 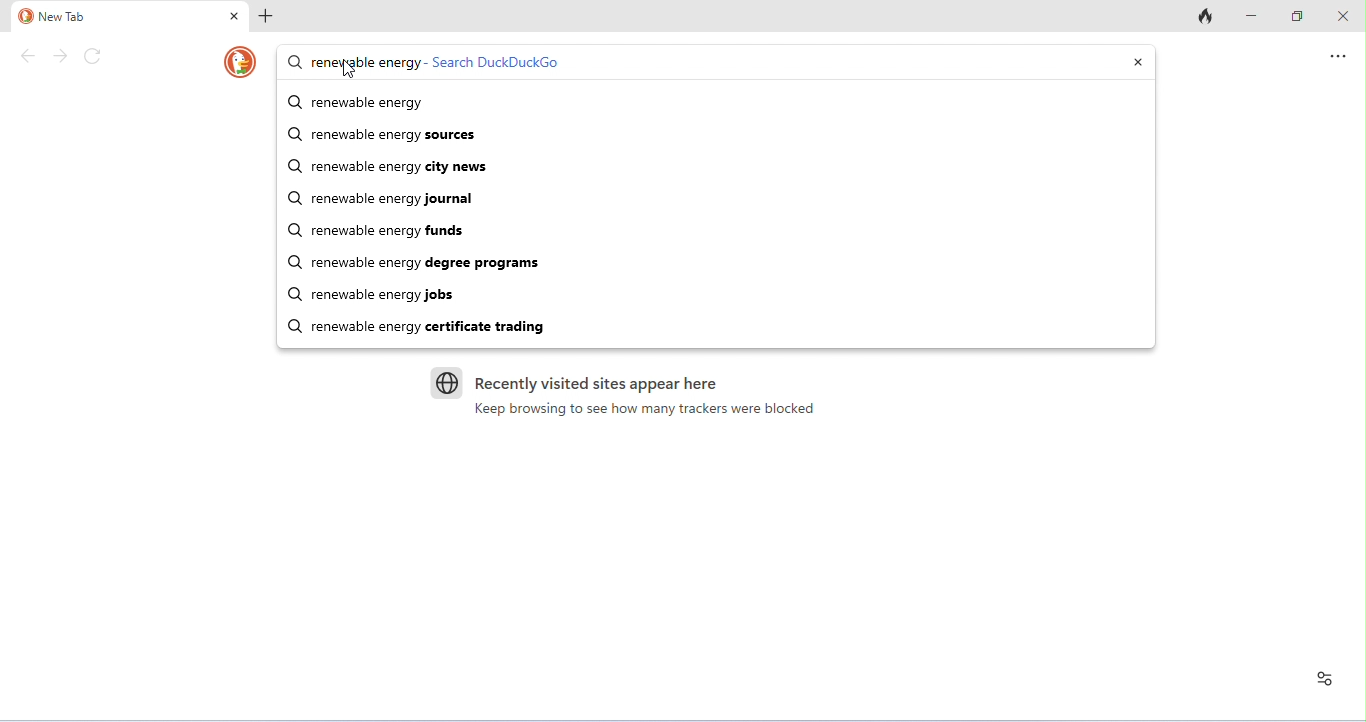 What do you see at coordinates (29, 56) in the screenshot?
I see `back` at bounding box center [29, 56].